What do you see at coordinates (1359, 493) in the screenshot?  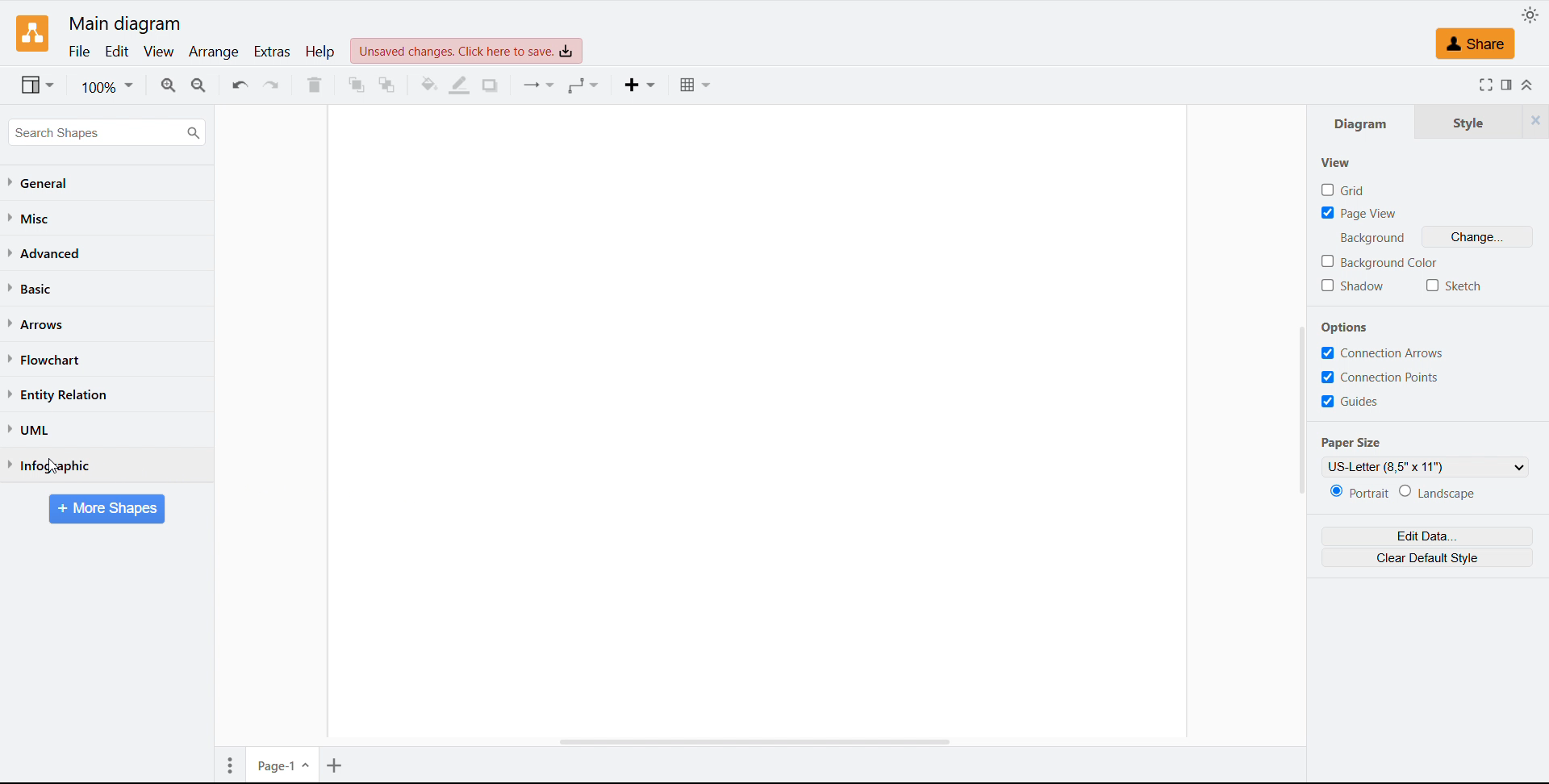 I see `Portrait ` at bounding box center [1359, 493].